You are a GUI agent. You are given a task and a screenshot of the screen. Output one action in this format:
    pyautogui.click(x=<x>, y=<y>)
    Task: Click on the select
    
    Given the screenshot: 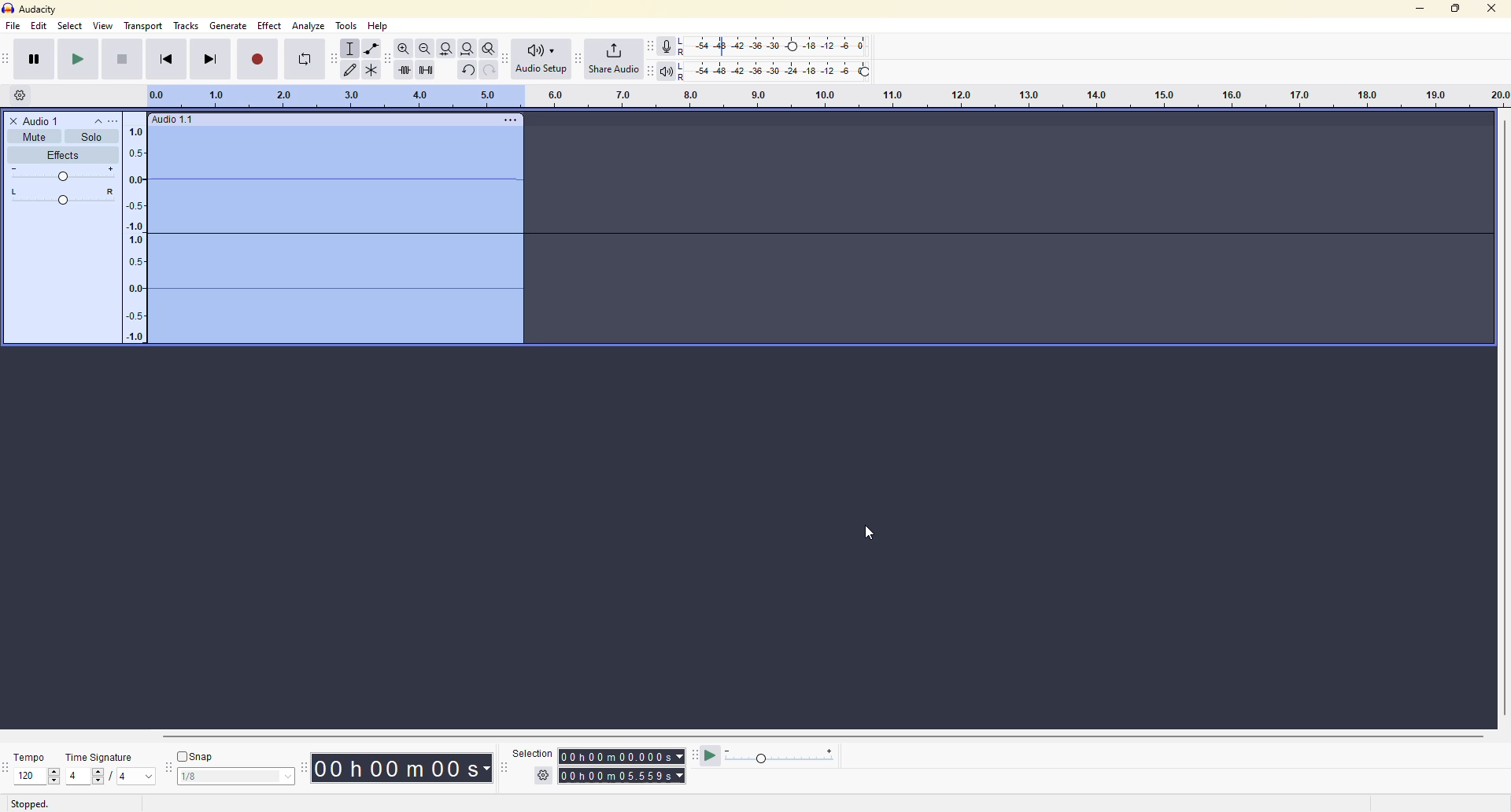 What is the action you would take?
    pyautogui.click(x=284, y=777)
    